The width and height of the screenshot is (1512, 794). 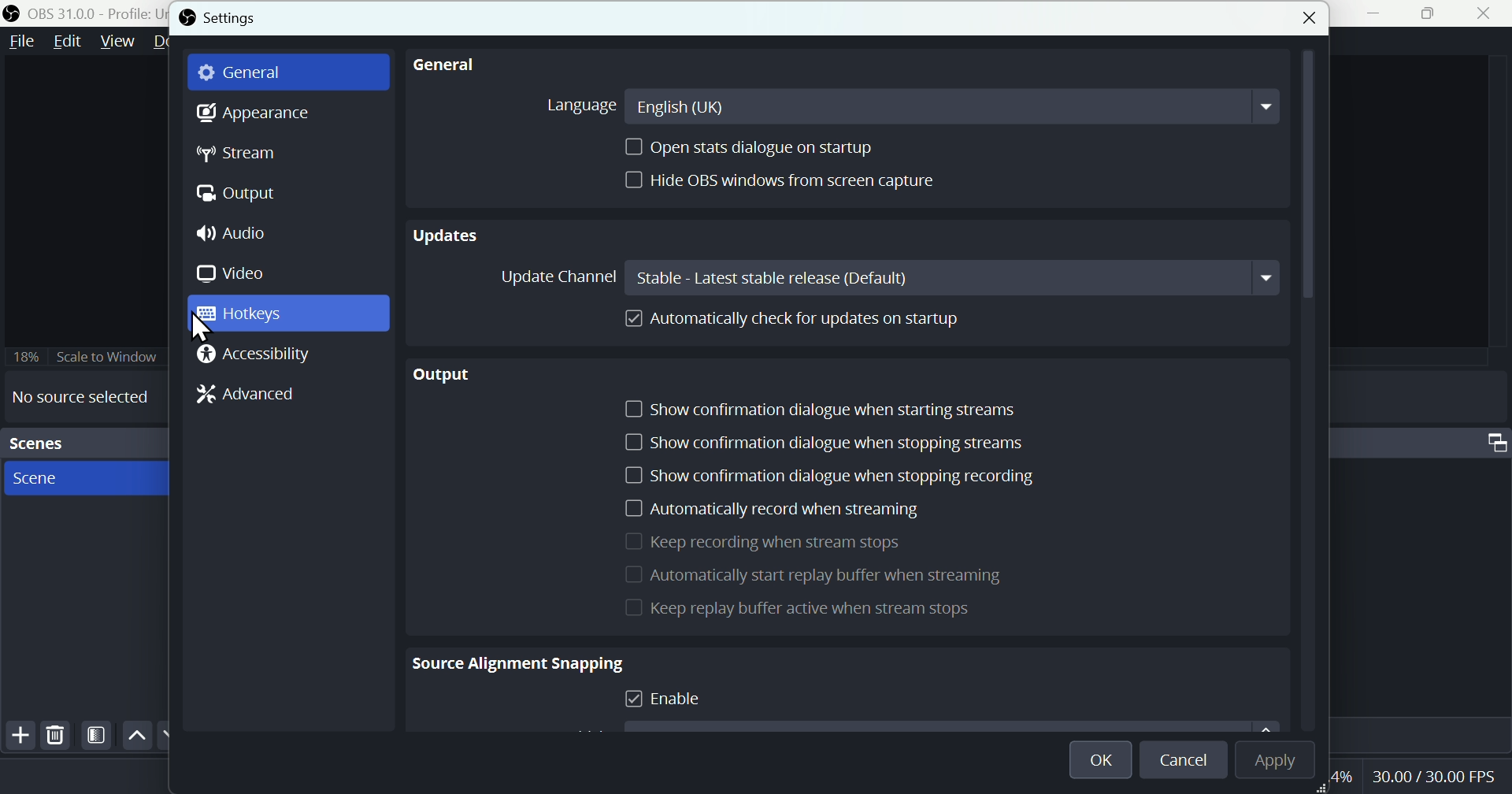 I want to click on Scenes, so click(x=82, y=443).